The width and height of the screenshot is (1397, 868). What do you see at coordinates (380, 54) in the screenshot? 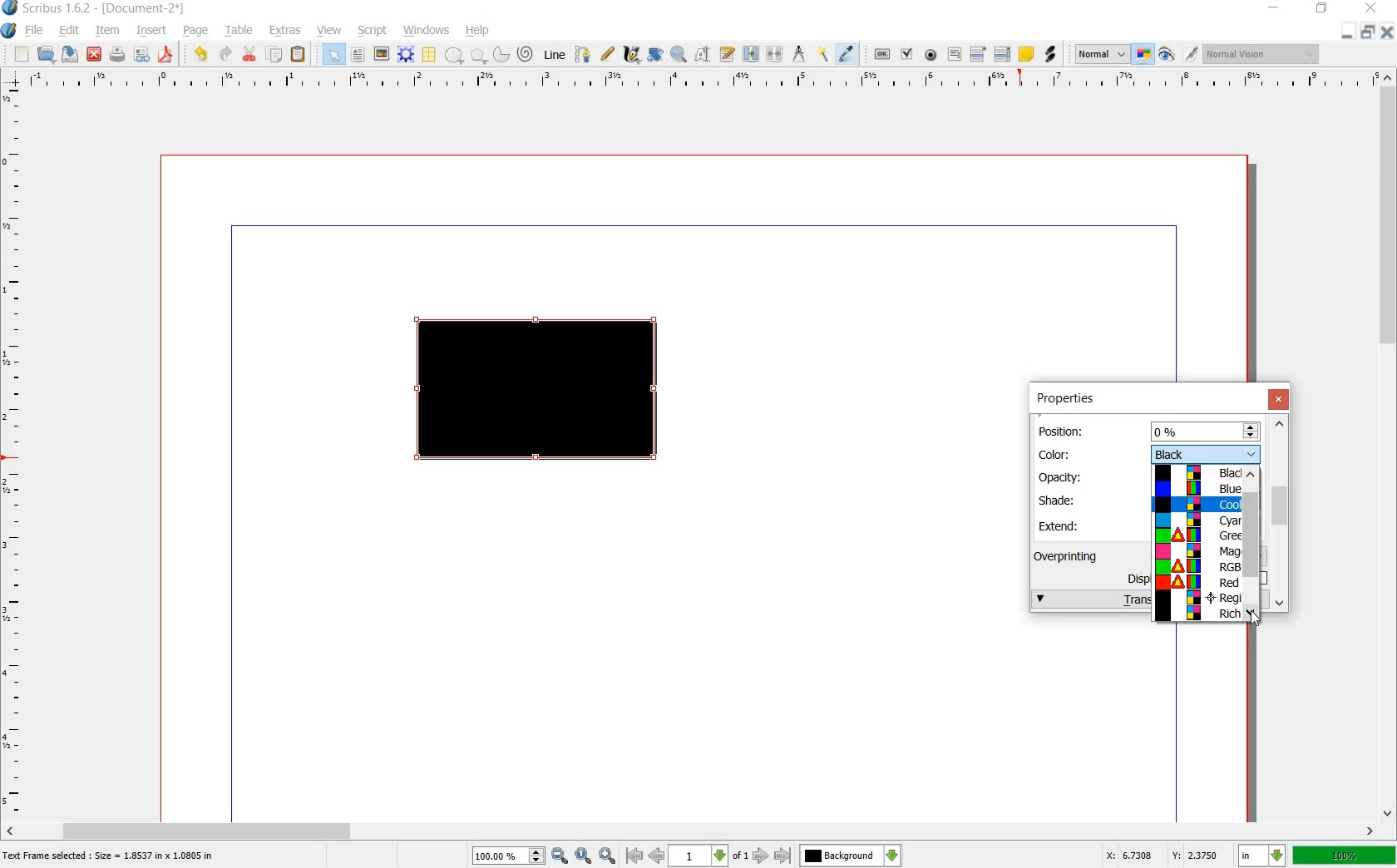
I see `image frame` at bounding box center [380, 54].